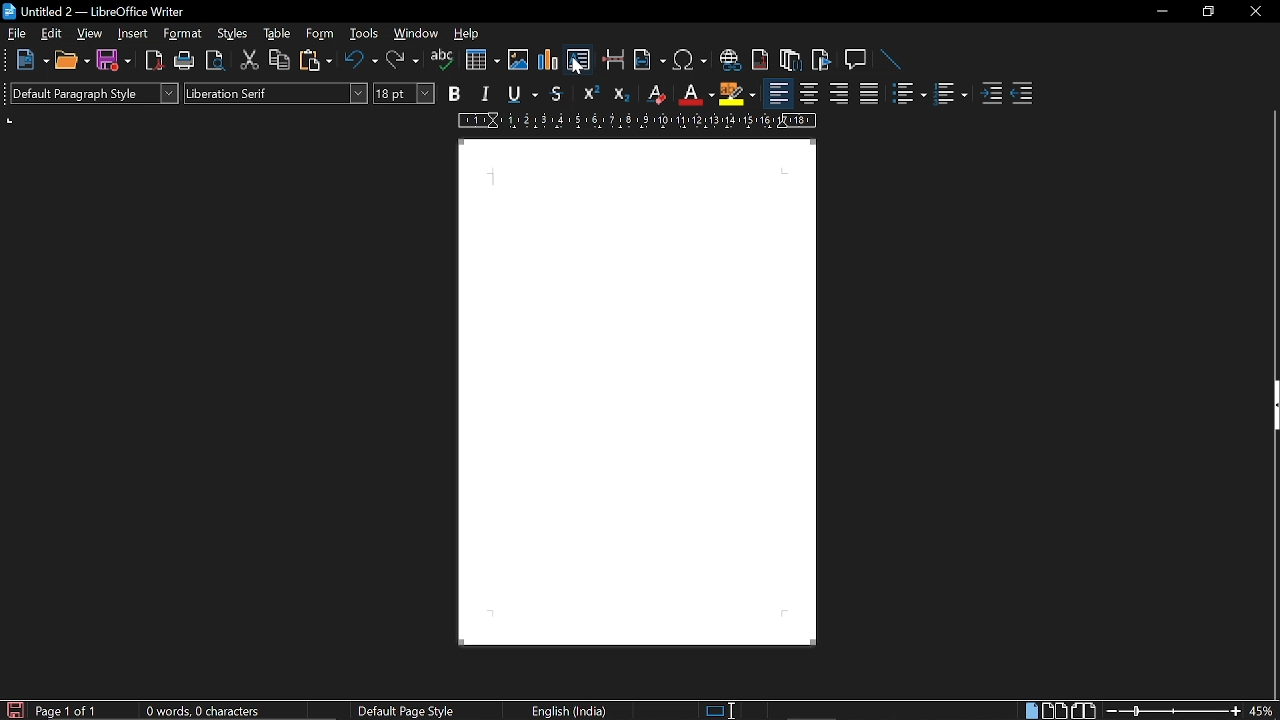 The width and height of the screenshot is (1280, 720). I want to click on redo, so click(402, 62).